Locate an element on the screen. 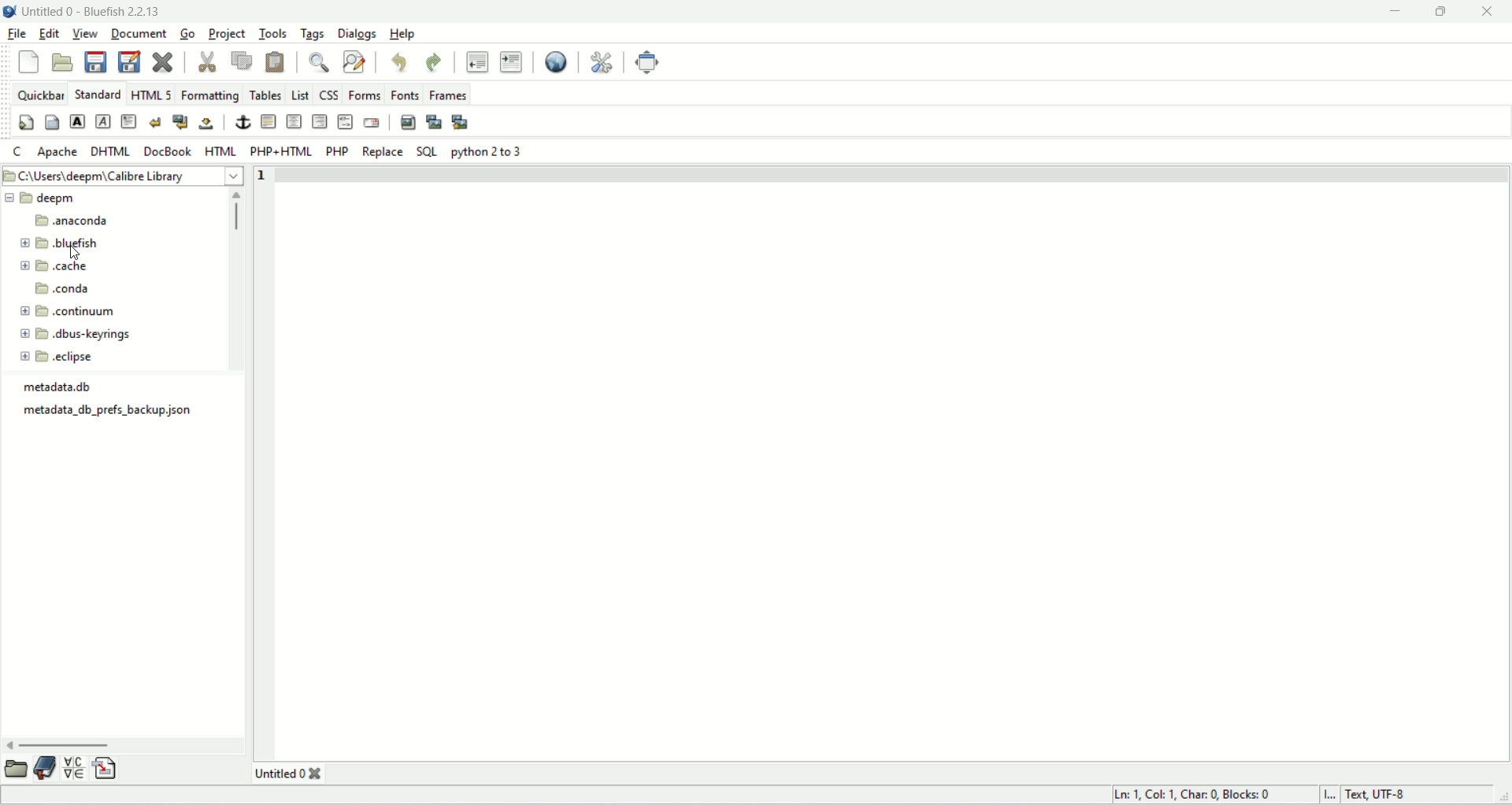 The width and height of the screenshot is (1512, 805). cut is located at coordinates (206, 60).